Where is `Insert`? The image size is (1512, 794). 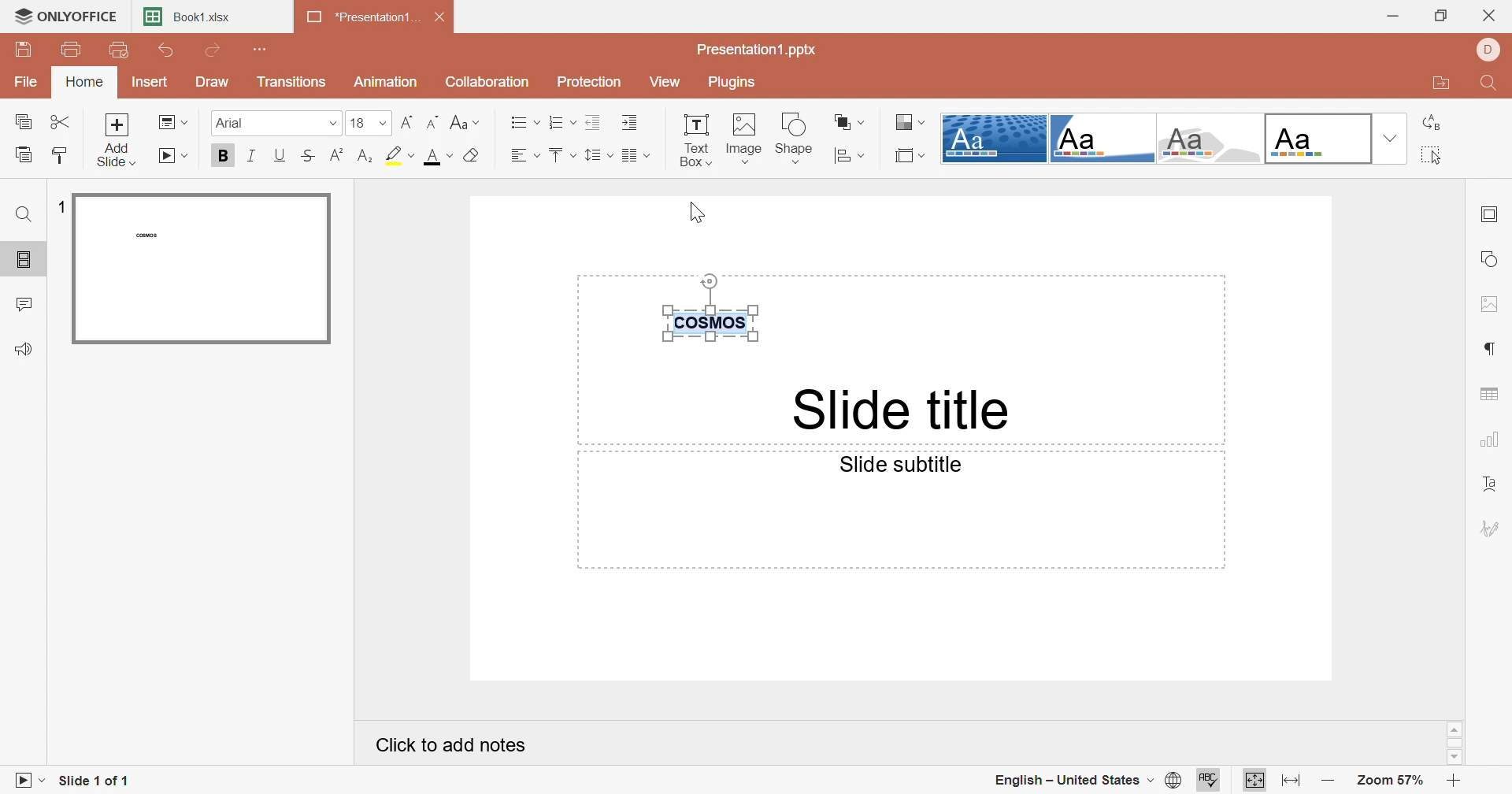
Insert is located at coordinates (147, 84).